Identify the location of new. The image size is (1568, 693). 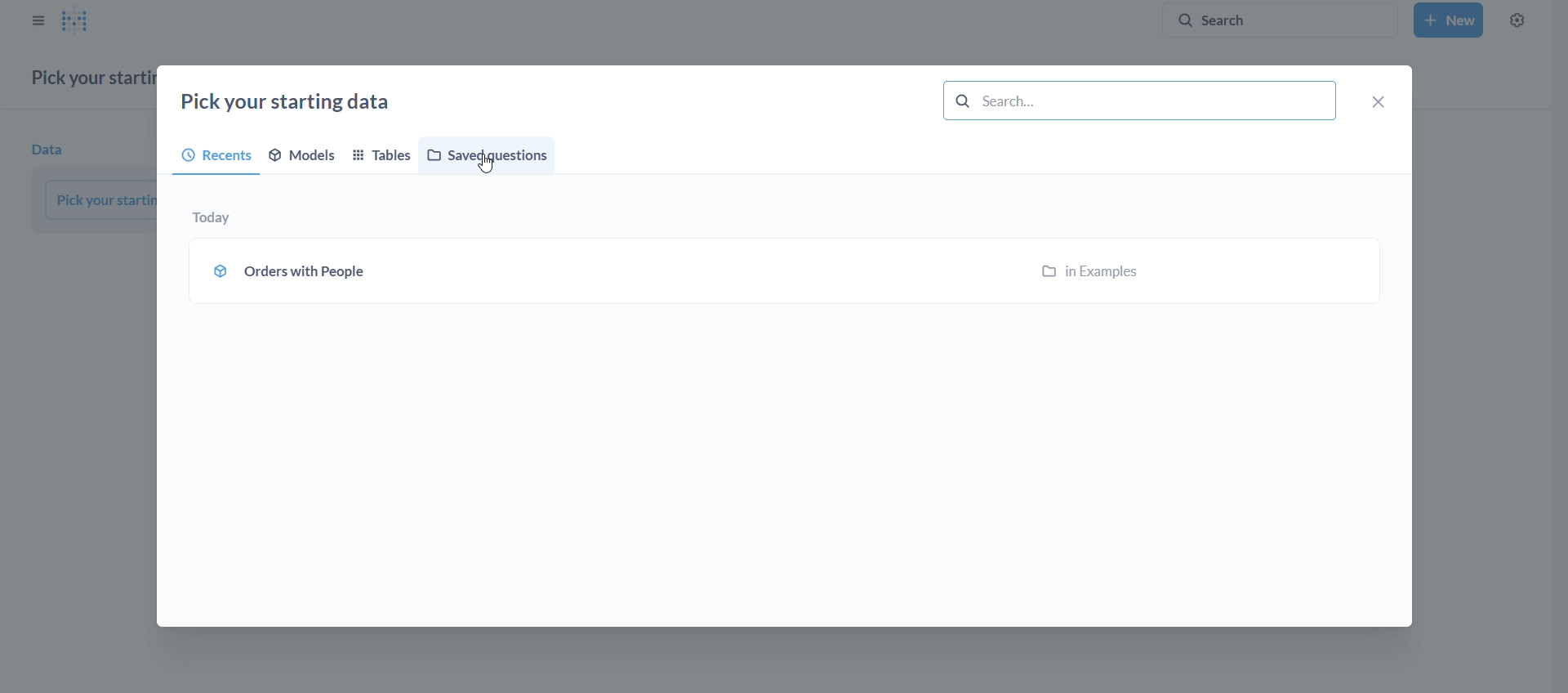
(1448, 20).